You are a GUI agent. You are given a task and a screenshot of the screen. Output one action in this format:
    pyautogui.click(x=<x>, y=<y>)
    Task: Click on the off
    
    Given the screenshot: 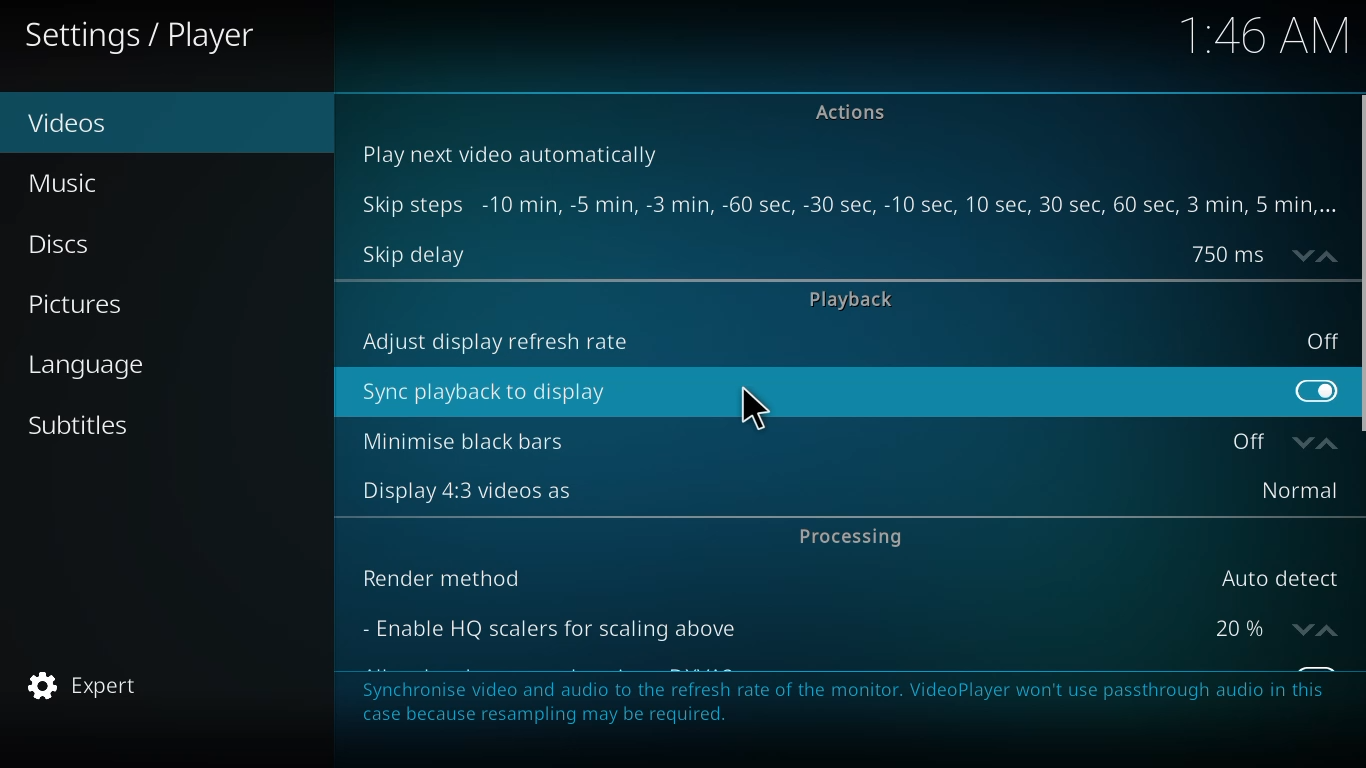 What is the action you would take?
    pyautogui.click(x=1283, y=438)
    